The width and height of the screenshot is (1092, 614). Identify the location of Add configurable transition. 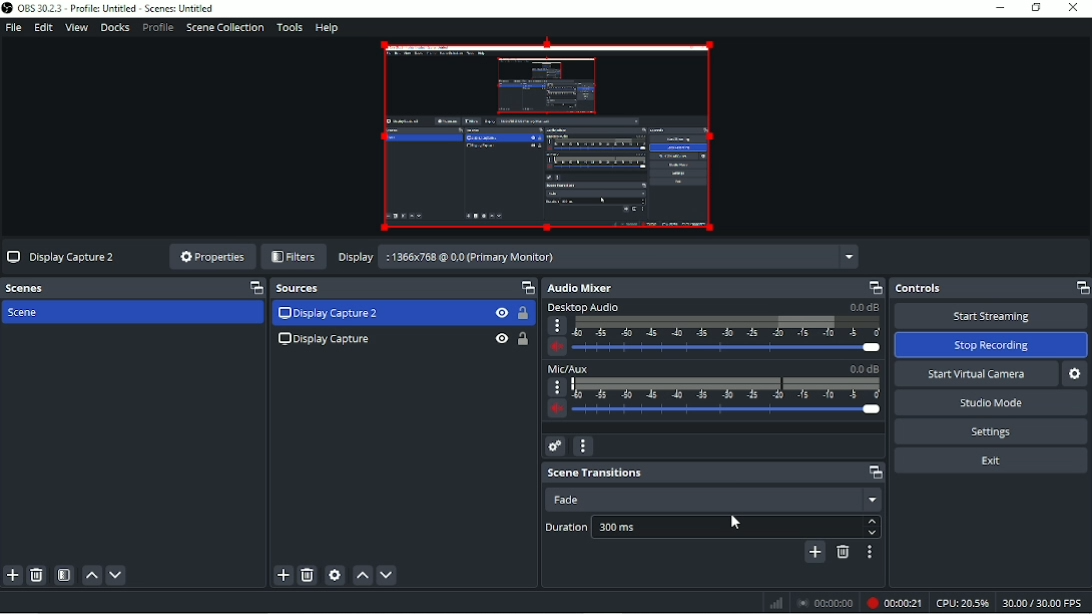
(814, 553).